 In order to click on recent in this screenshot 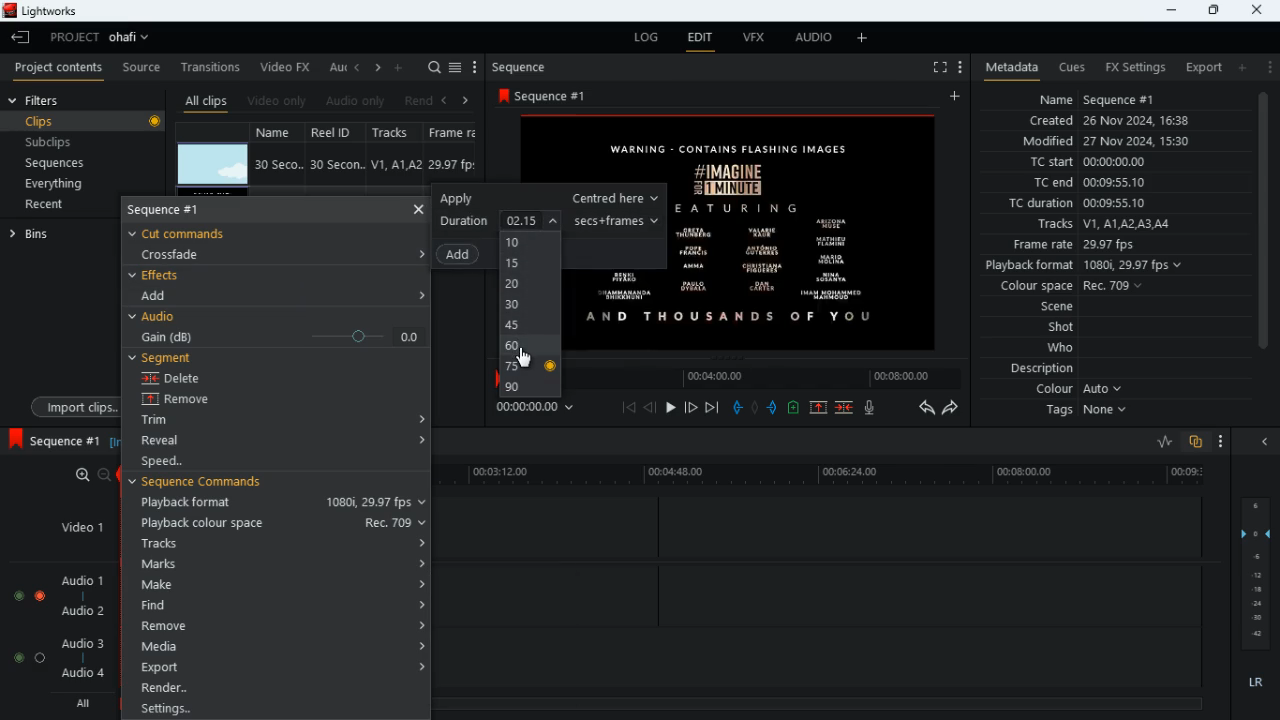, I will do `click(61, 206)`.